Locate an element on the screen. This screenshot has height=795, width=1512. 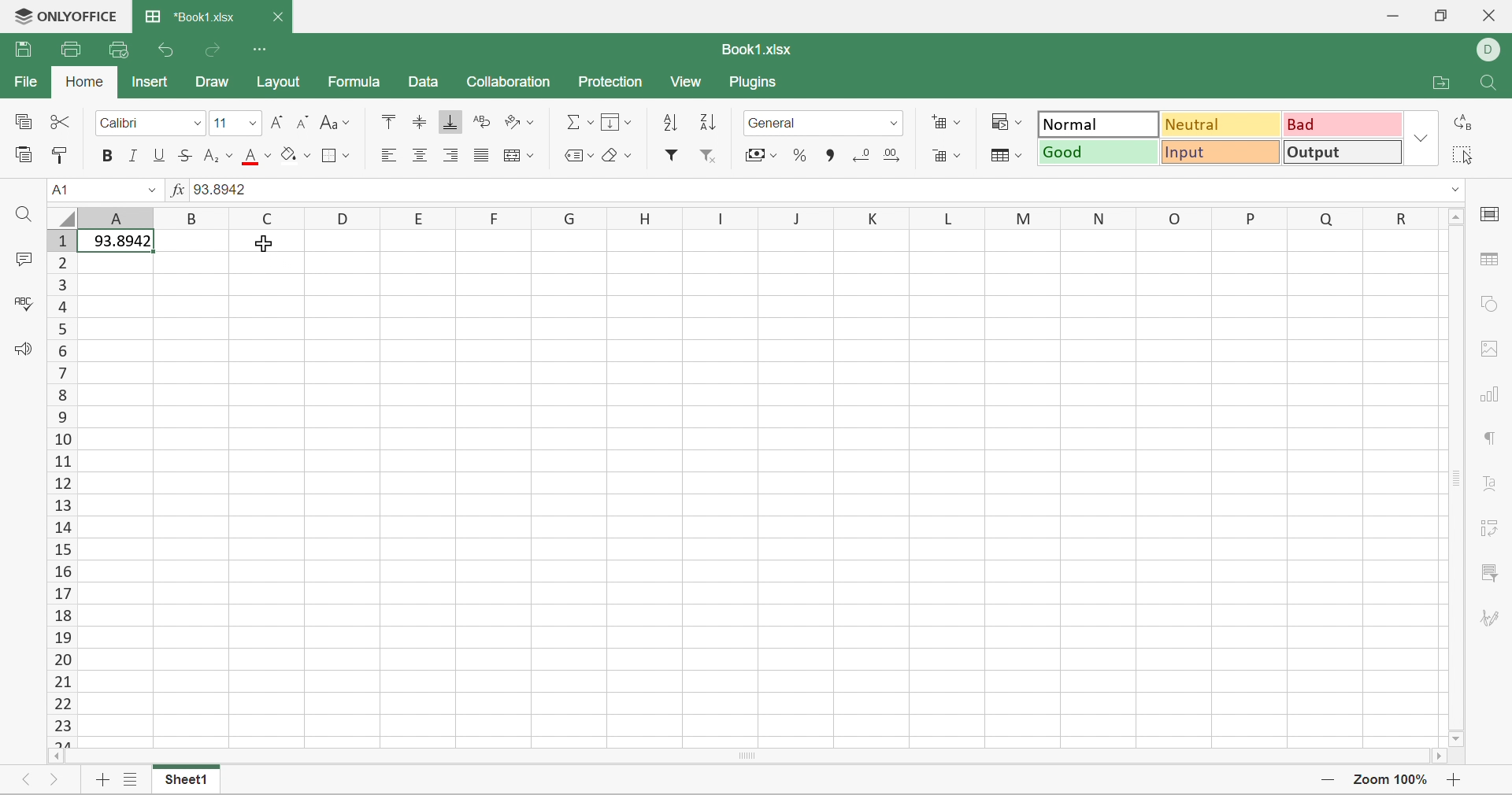
Scroll Bar is located at coordinates (1453, 480).